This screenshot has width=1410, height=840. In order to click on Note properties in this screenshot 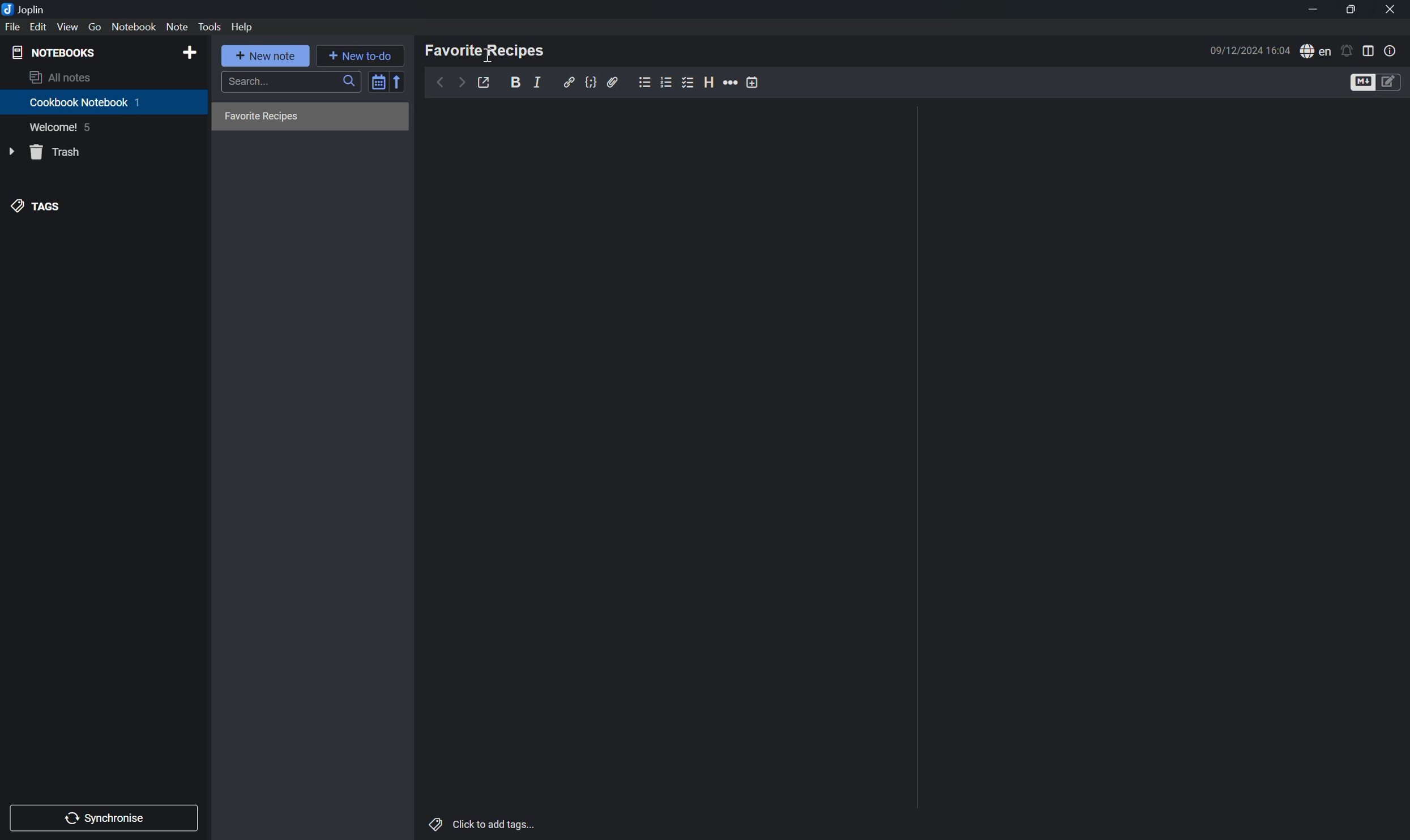, I will do `click(1392, 50)`.